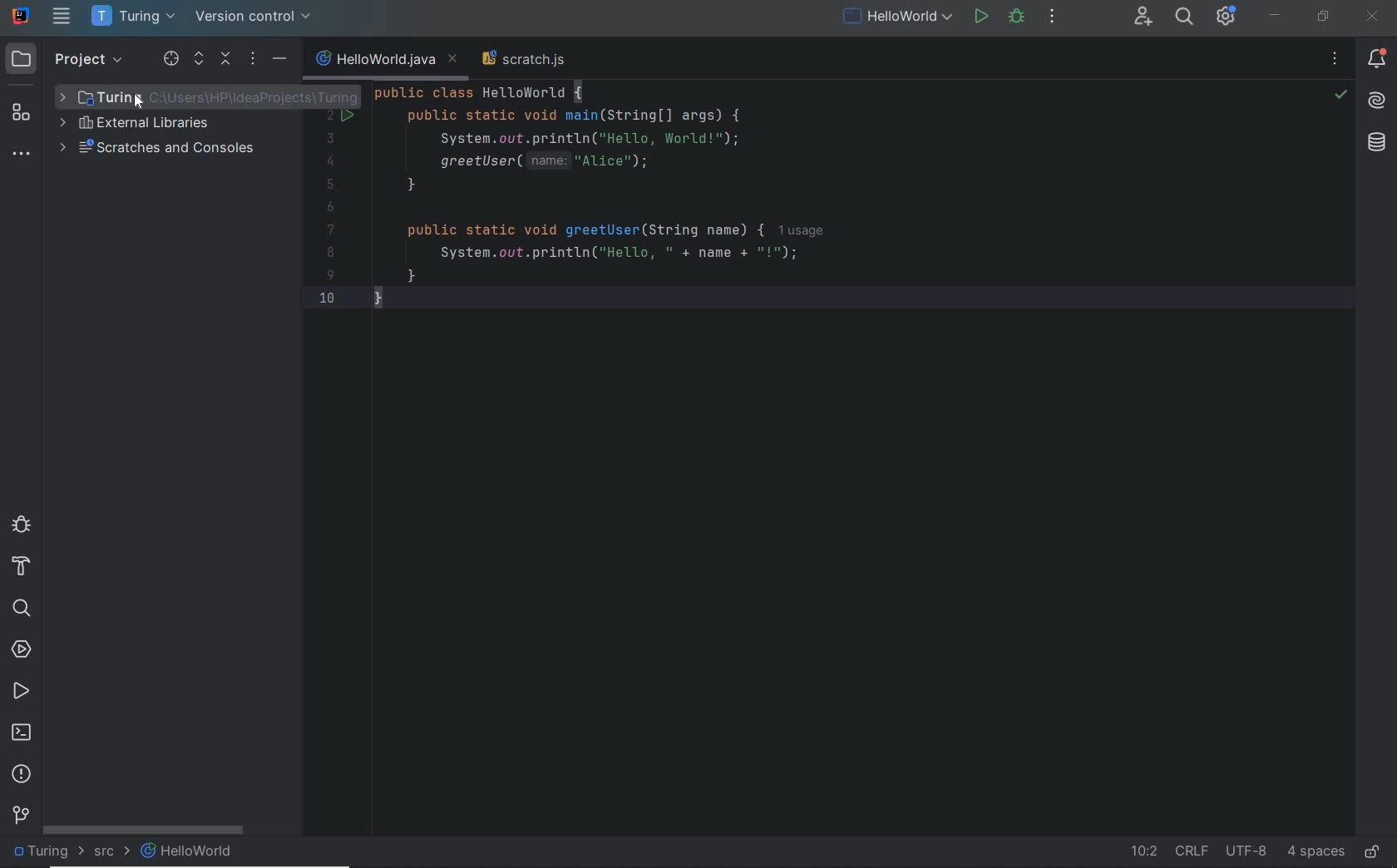 This screenshot has height=868, width=1397. Describe the element at coordinates (144, 831) in the screenshot. I see `scrollbar` at that location.